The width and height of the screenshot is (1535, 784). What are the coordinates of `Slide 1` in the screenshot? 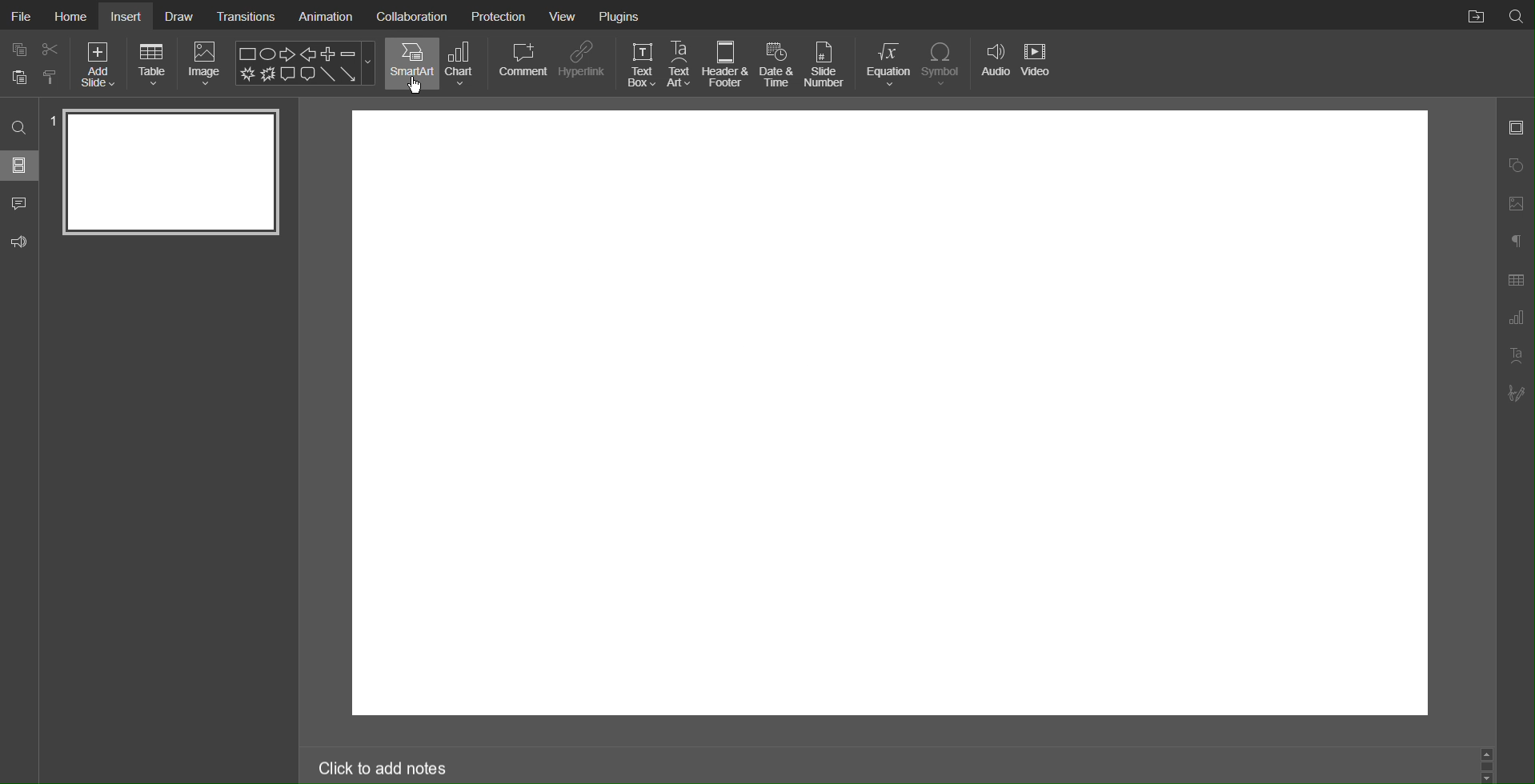 It's located at (174, 171).